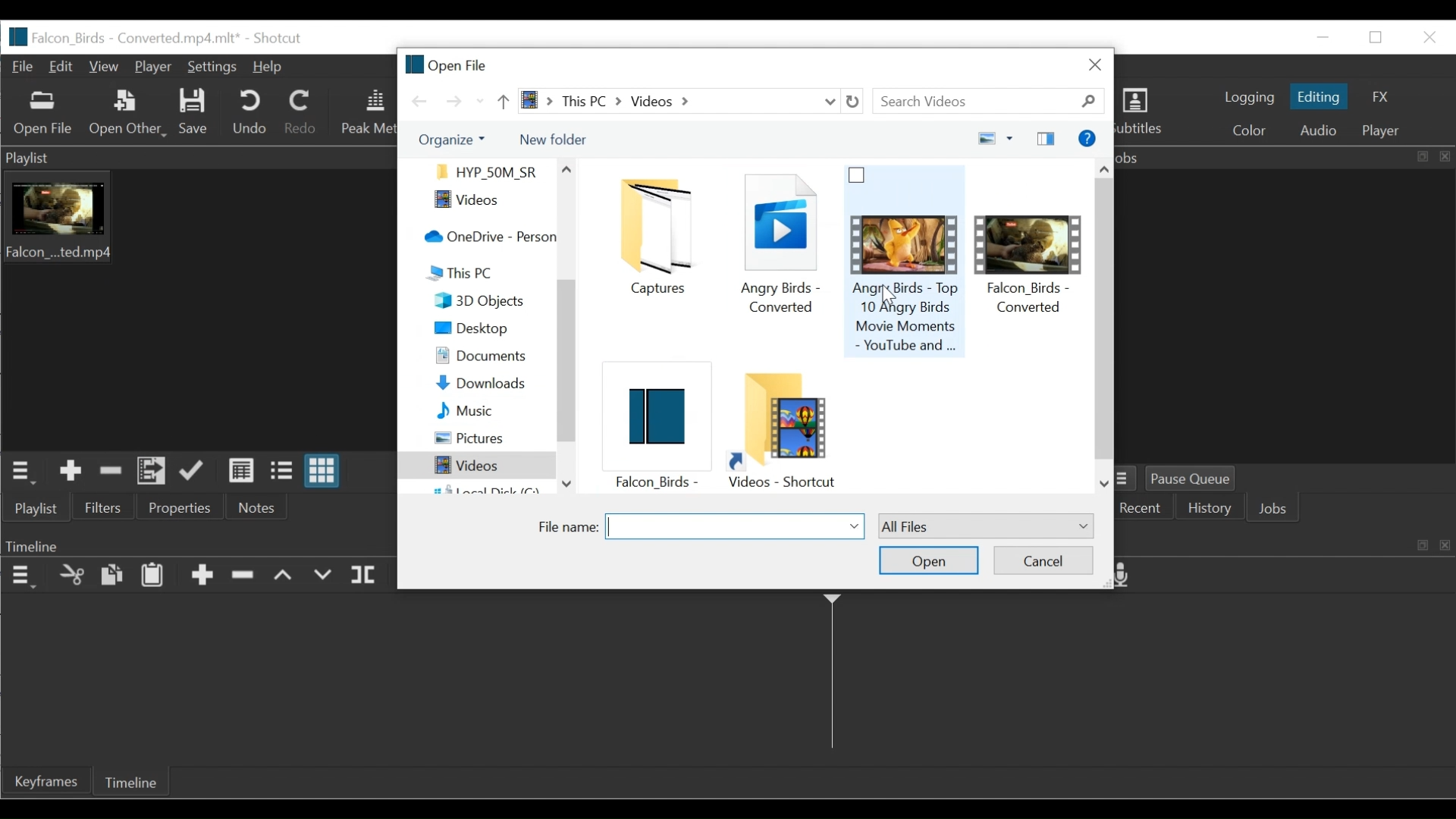  I want to click on Path, so click(667, 101).